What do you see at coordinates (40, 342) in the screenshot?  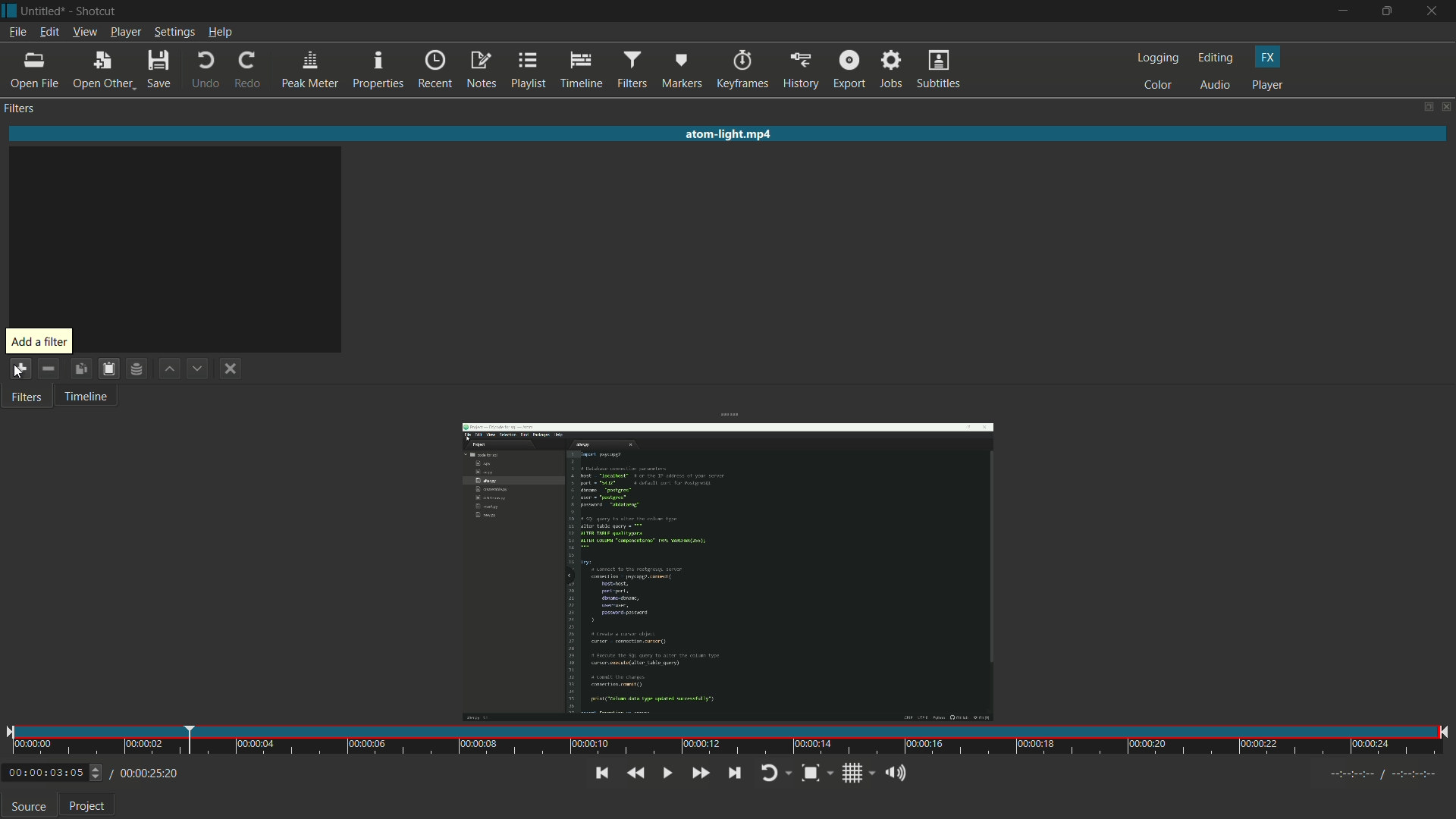 I see `add a filter` at bounding box center [40, 342].